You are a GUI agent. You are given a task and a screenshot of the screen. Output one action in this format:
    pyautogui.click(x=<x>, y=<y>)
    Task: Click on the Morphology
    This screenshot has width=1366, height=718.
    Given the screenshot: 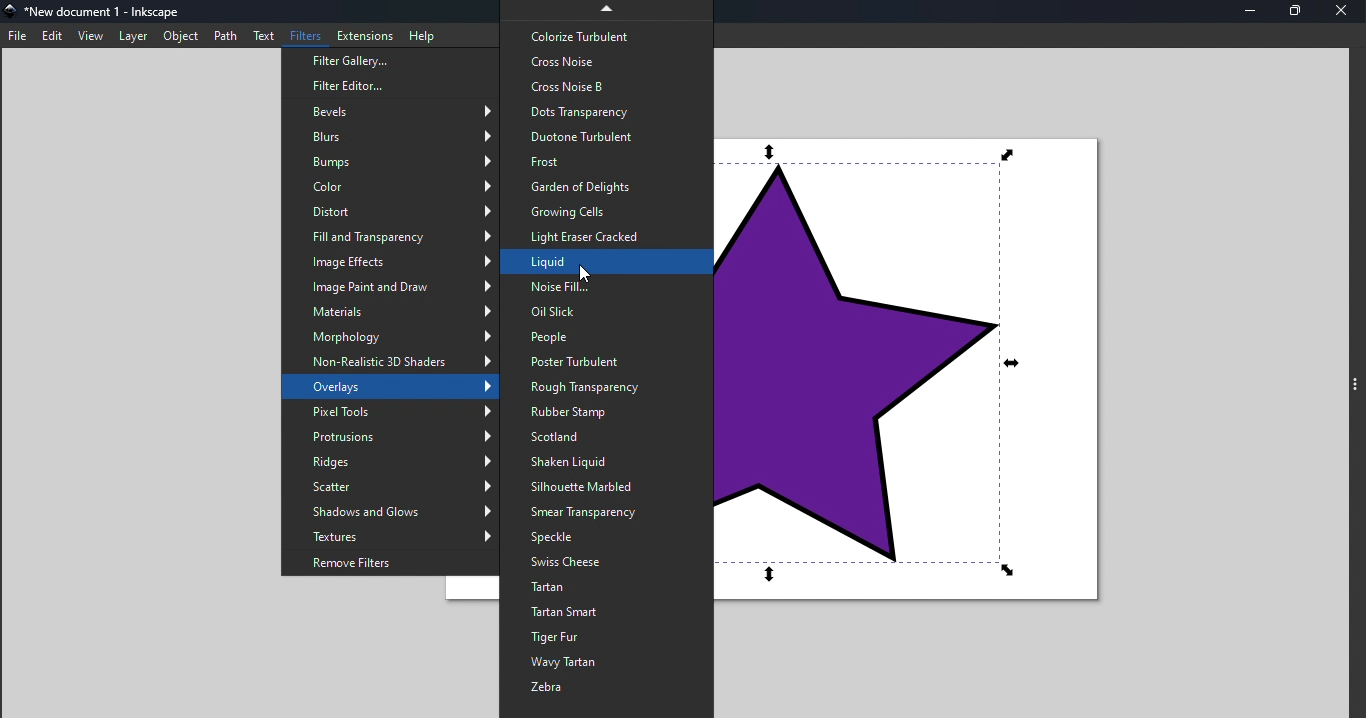 What is the action you would take?
    pyautogui.click(x=393, y=335)
    